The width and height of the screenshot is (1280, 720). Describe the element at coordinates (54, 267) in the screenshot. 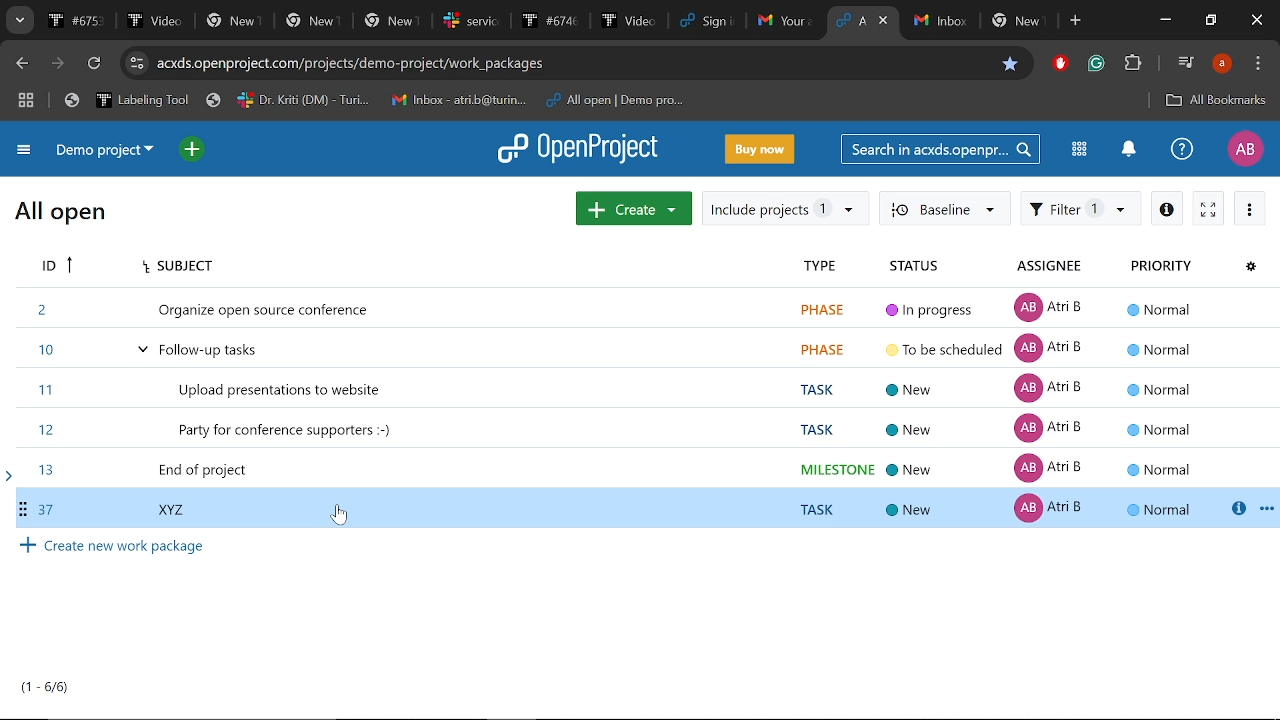

I see `Task Id` at that location.